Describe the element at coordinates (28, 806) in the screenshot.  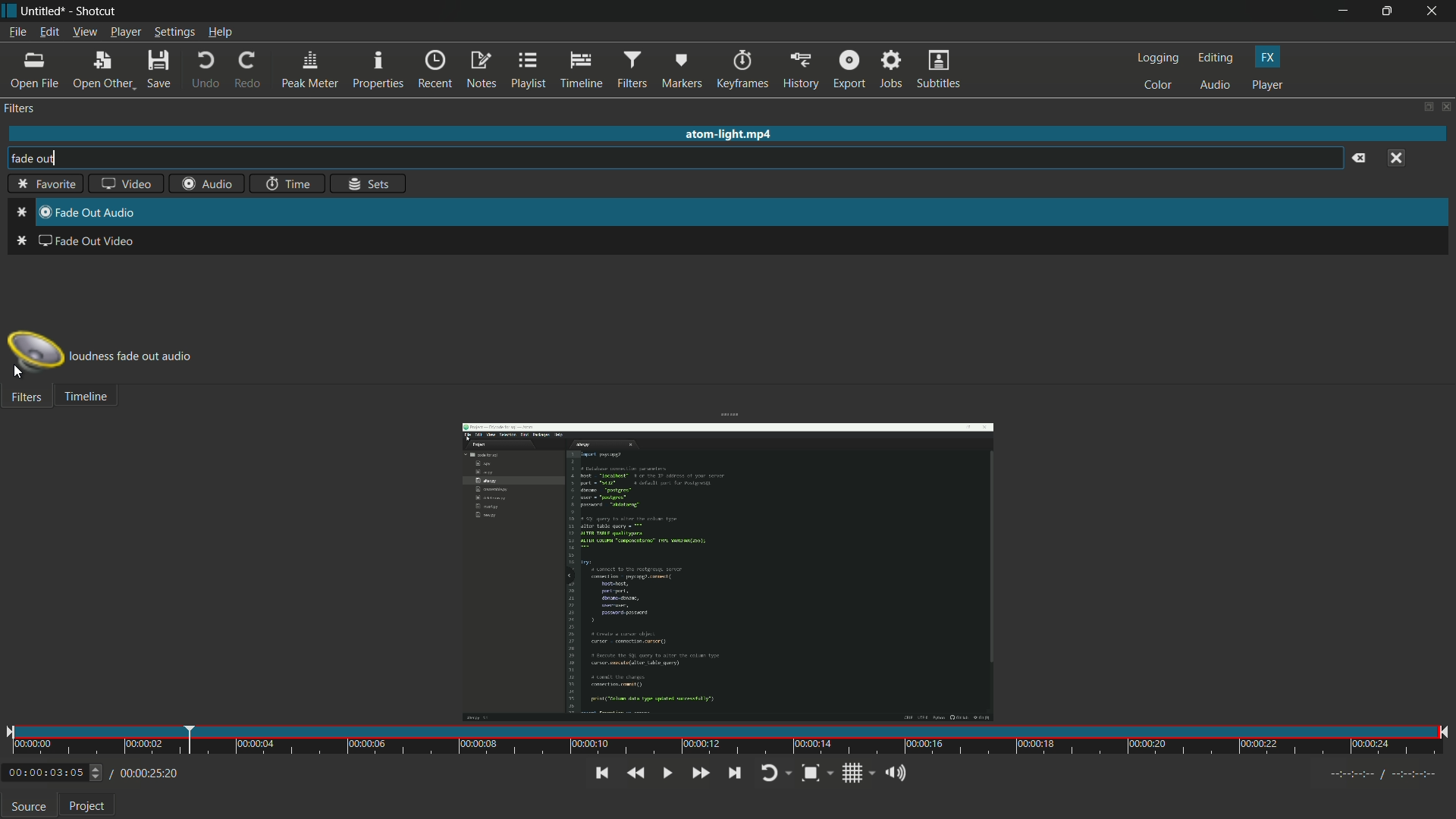
I see `Source` at that location.